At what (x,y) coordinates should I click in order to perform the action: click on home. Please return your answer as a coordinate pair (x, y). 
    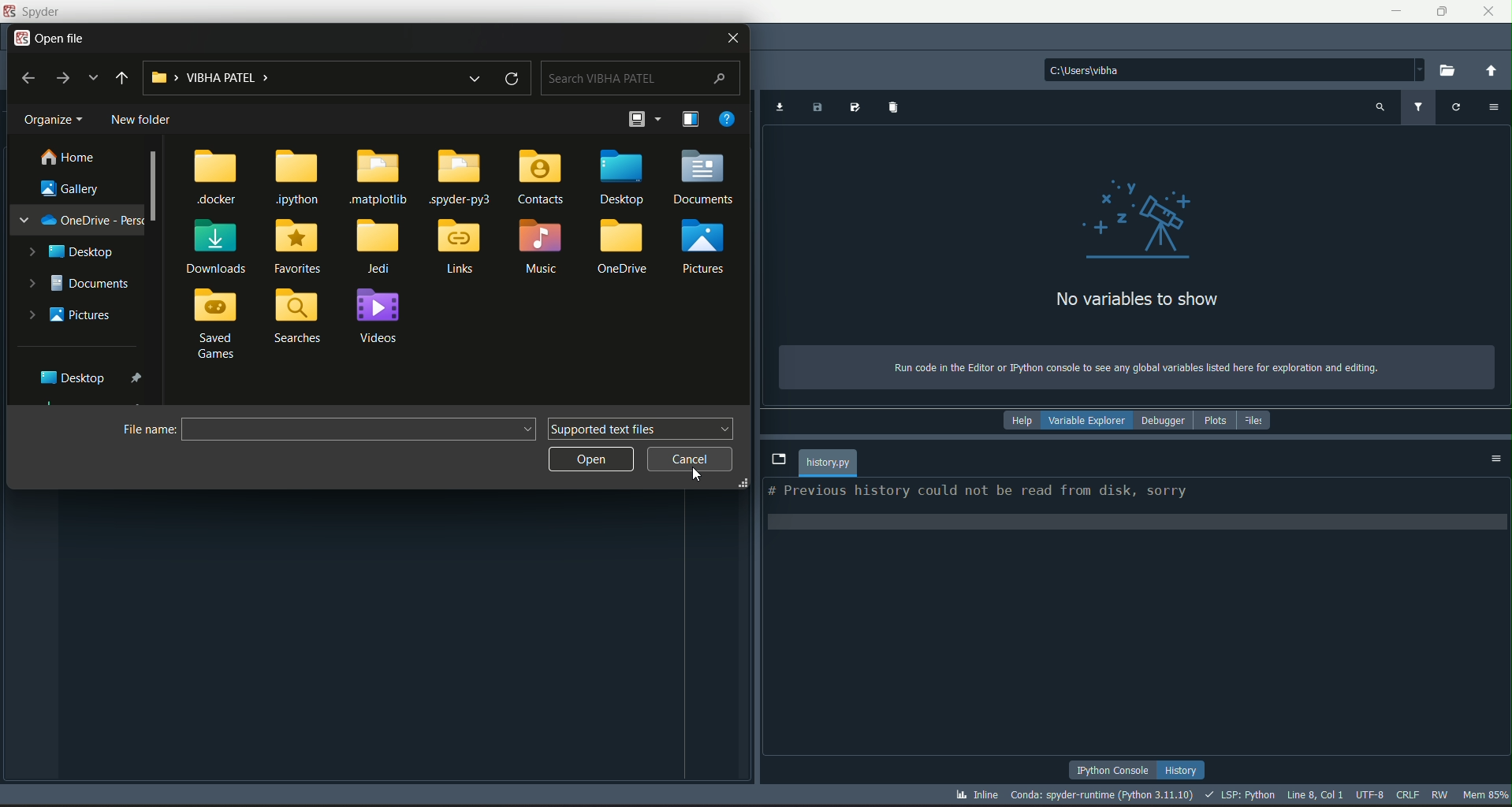
    Looking at the image, I should click on (68, 158).